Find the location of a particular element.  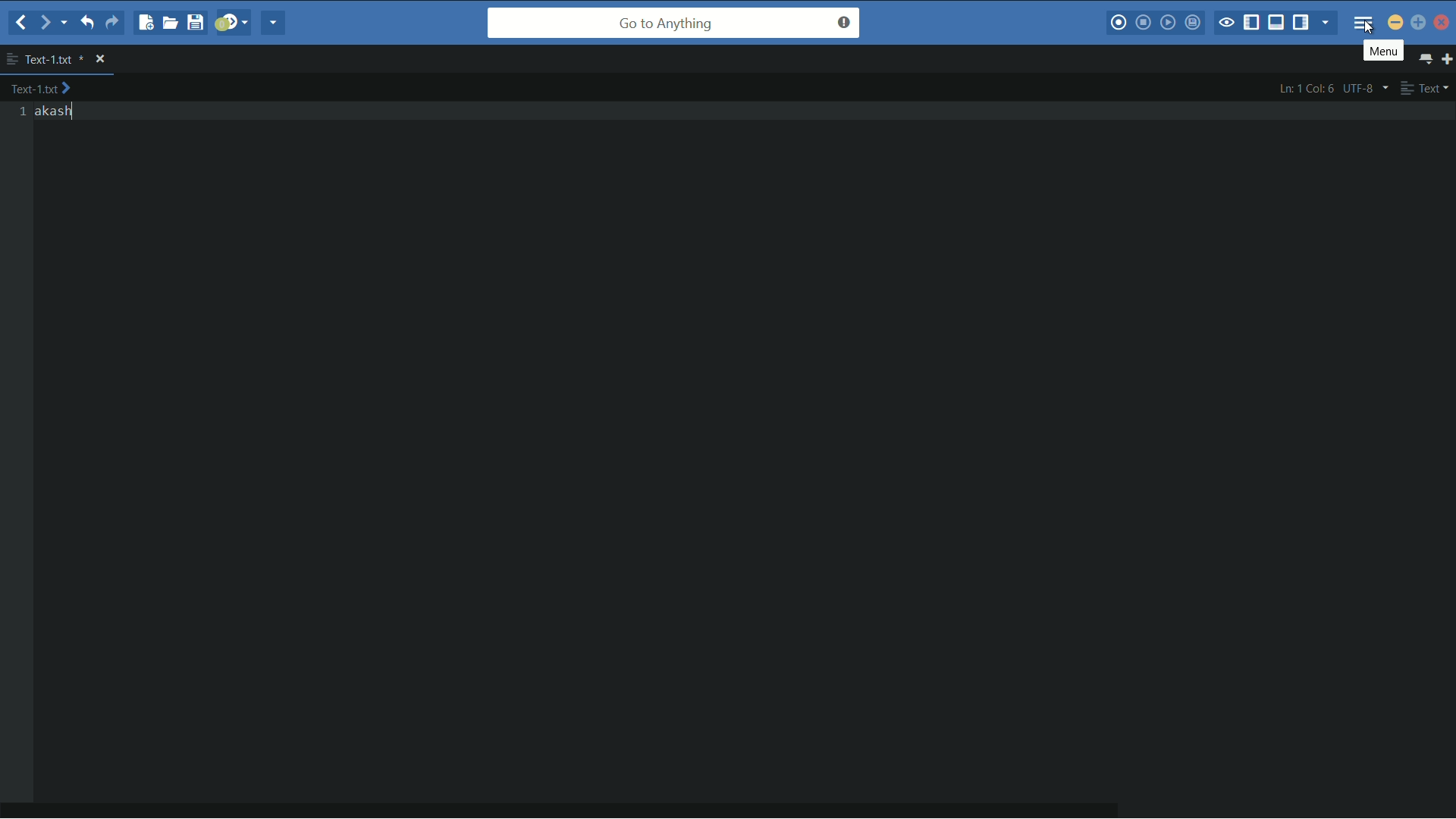

record macro is located at coordinates (1120, 22).